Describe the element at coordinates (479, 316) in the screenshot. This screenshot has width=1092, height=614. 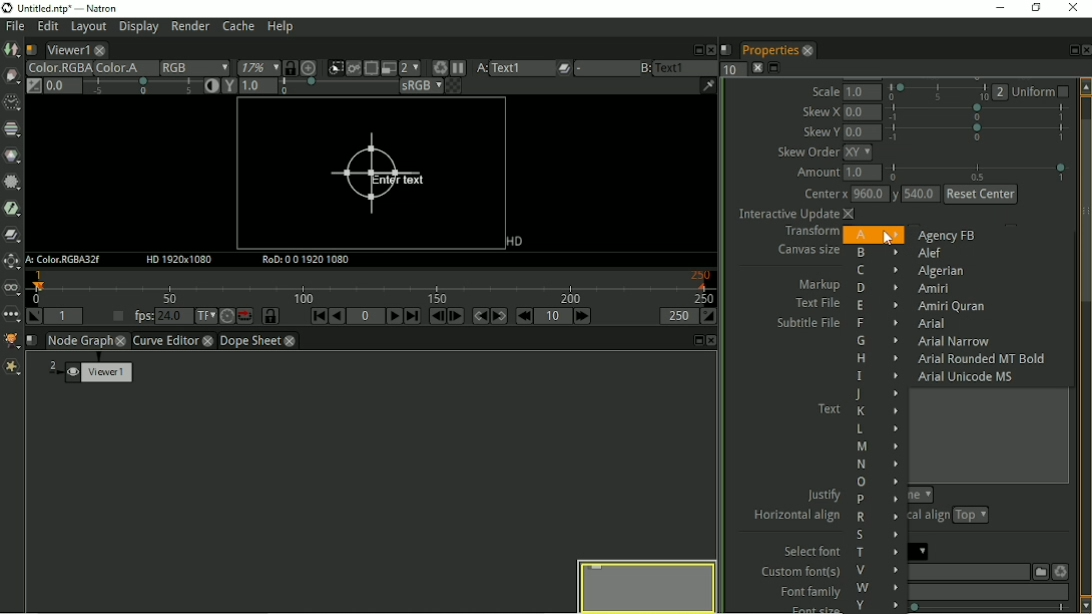
I see `Previous keyframe` at that location.